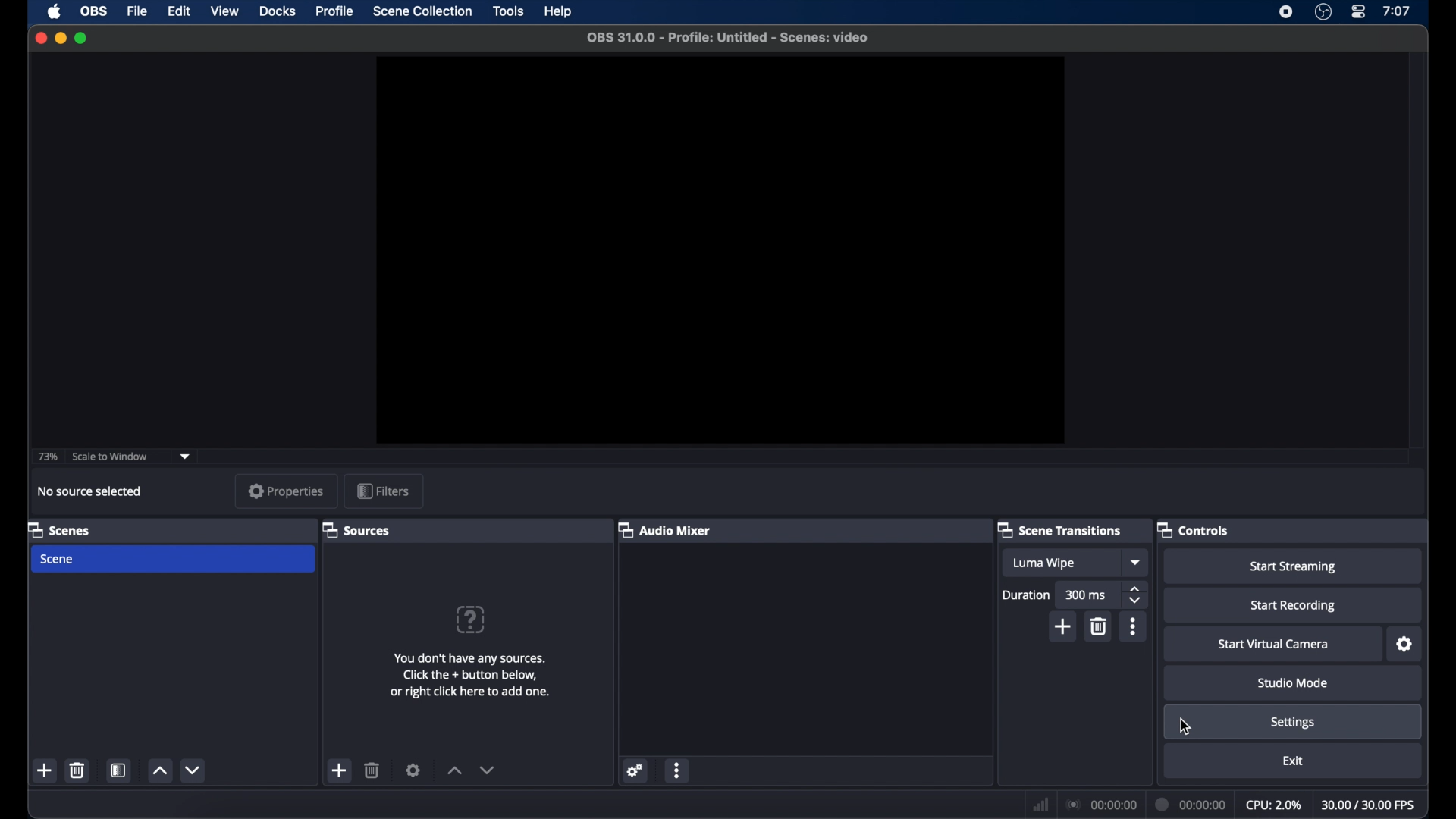  I want to click on close, so click(40, 38).